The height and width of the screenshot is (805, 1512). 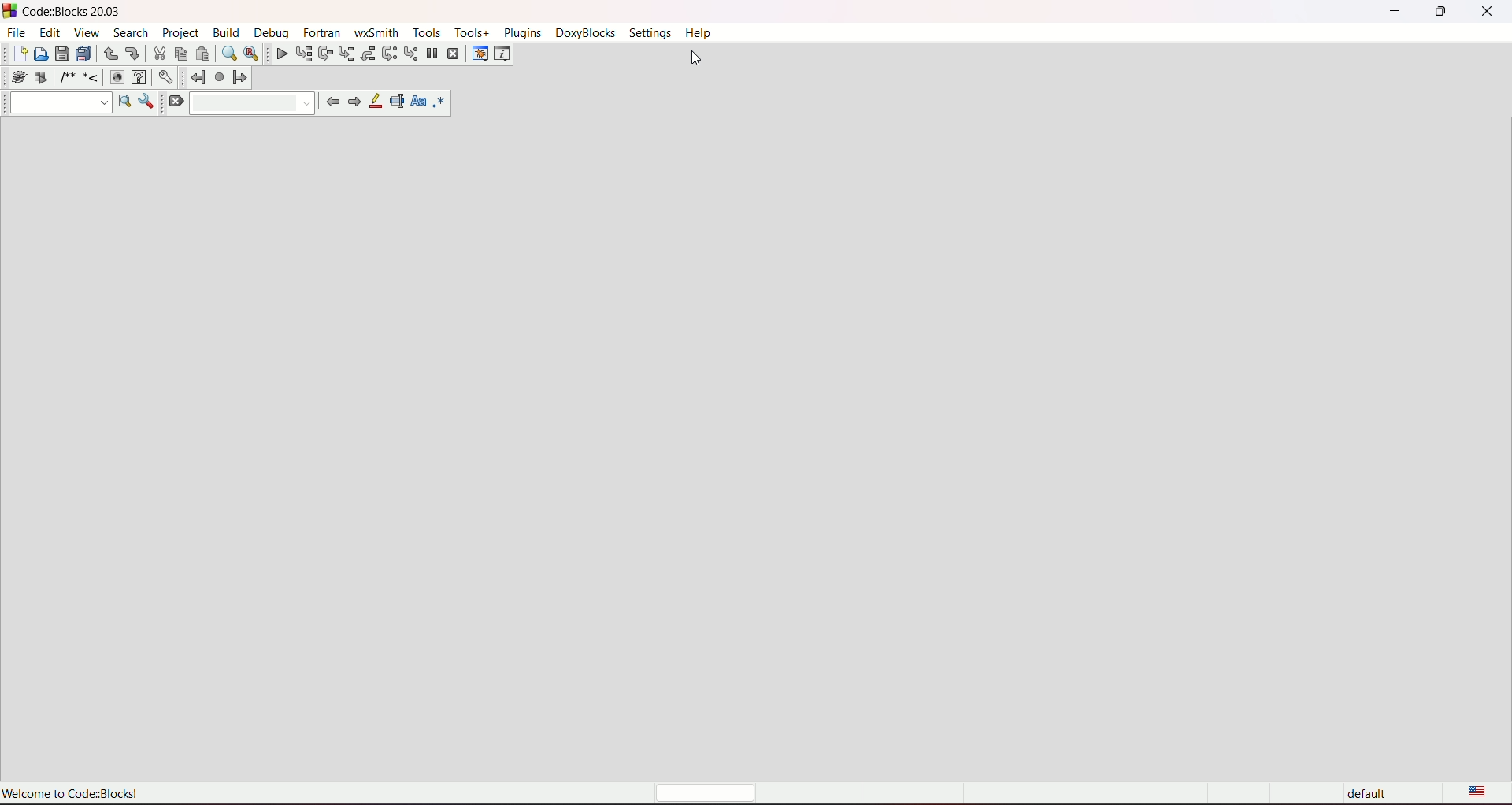 What do you see at coordinates (171, 76) in the screenshot?
I see `Settings` at bounding box center [171, 76].